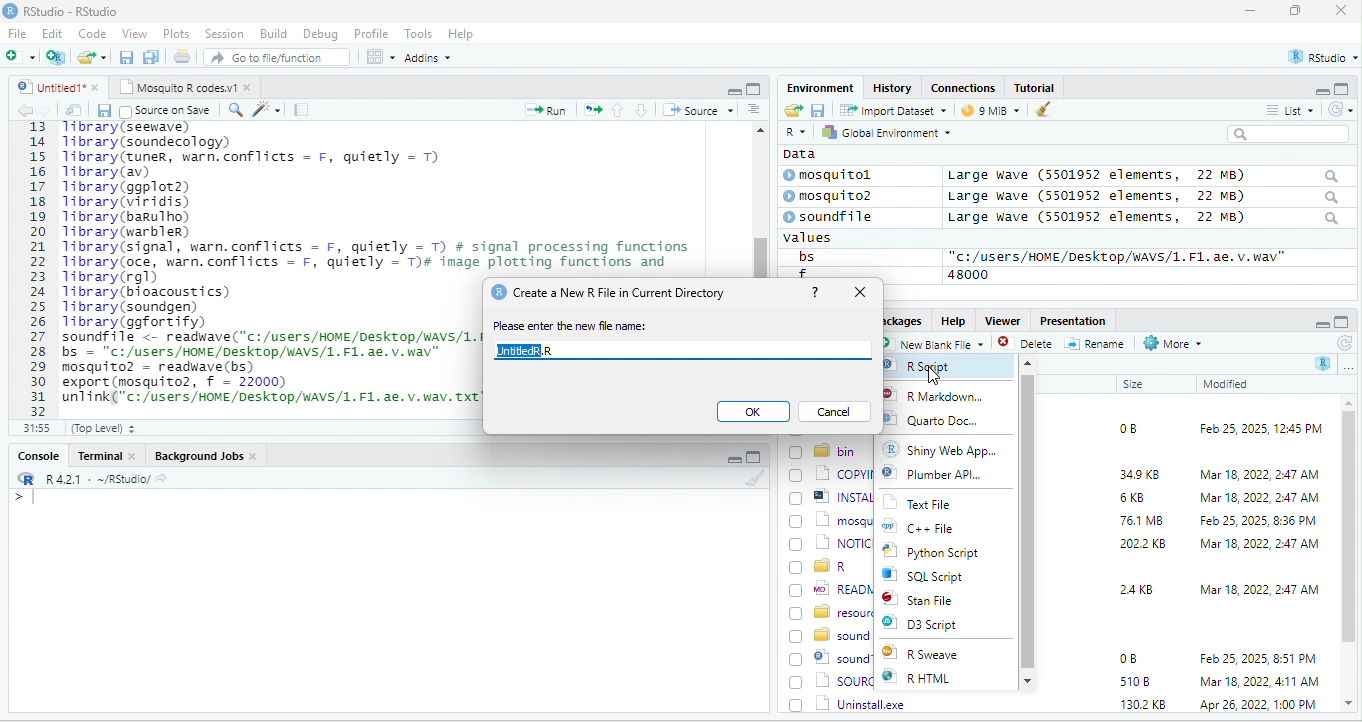 Image resolution: width=1362 pixels, height=722 pixels. I want to click on up, so click(619, 109).